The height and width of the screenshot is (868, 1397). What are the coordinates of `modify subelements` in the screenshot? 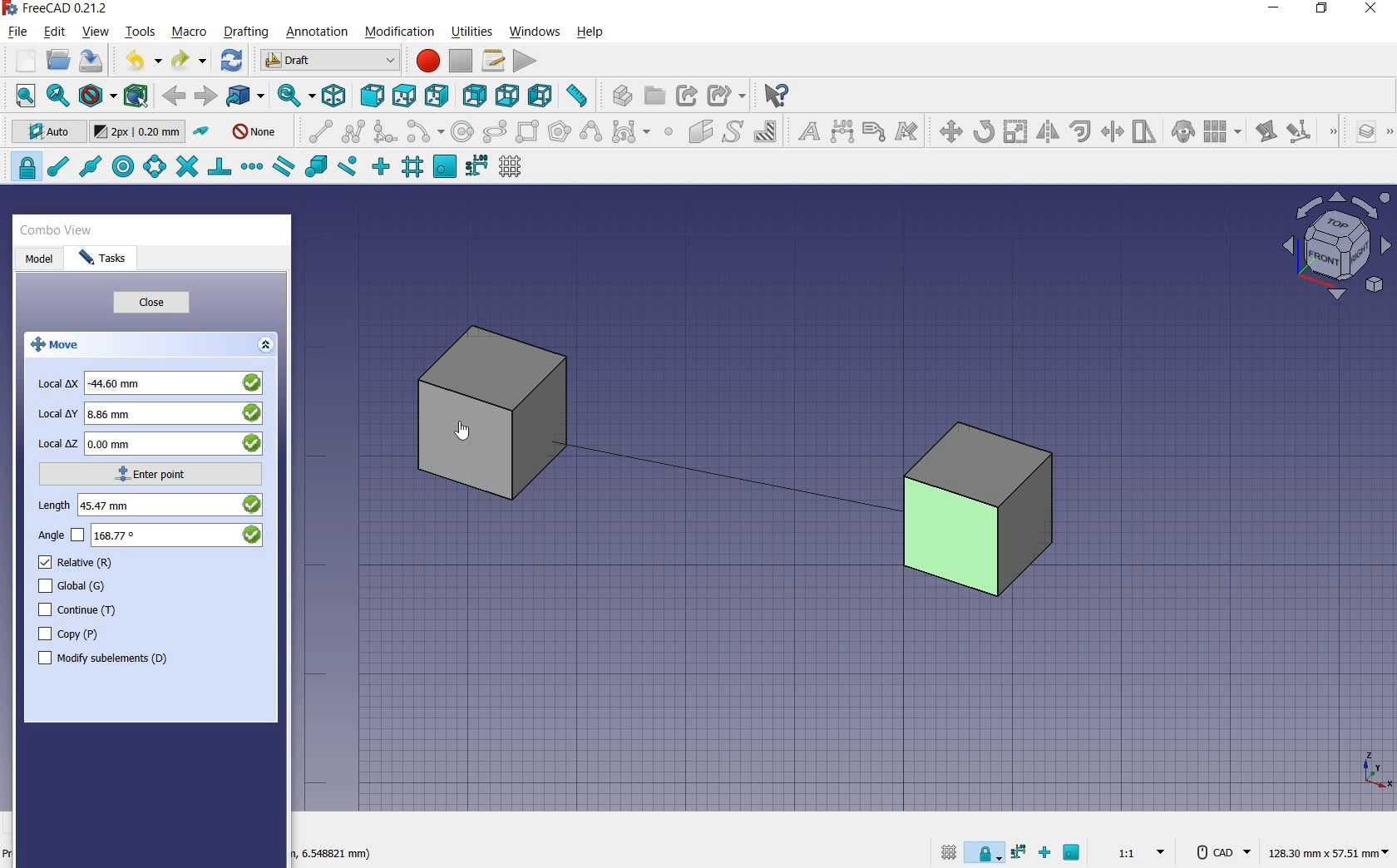 It's located at (109, 659).